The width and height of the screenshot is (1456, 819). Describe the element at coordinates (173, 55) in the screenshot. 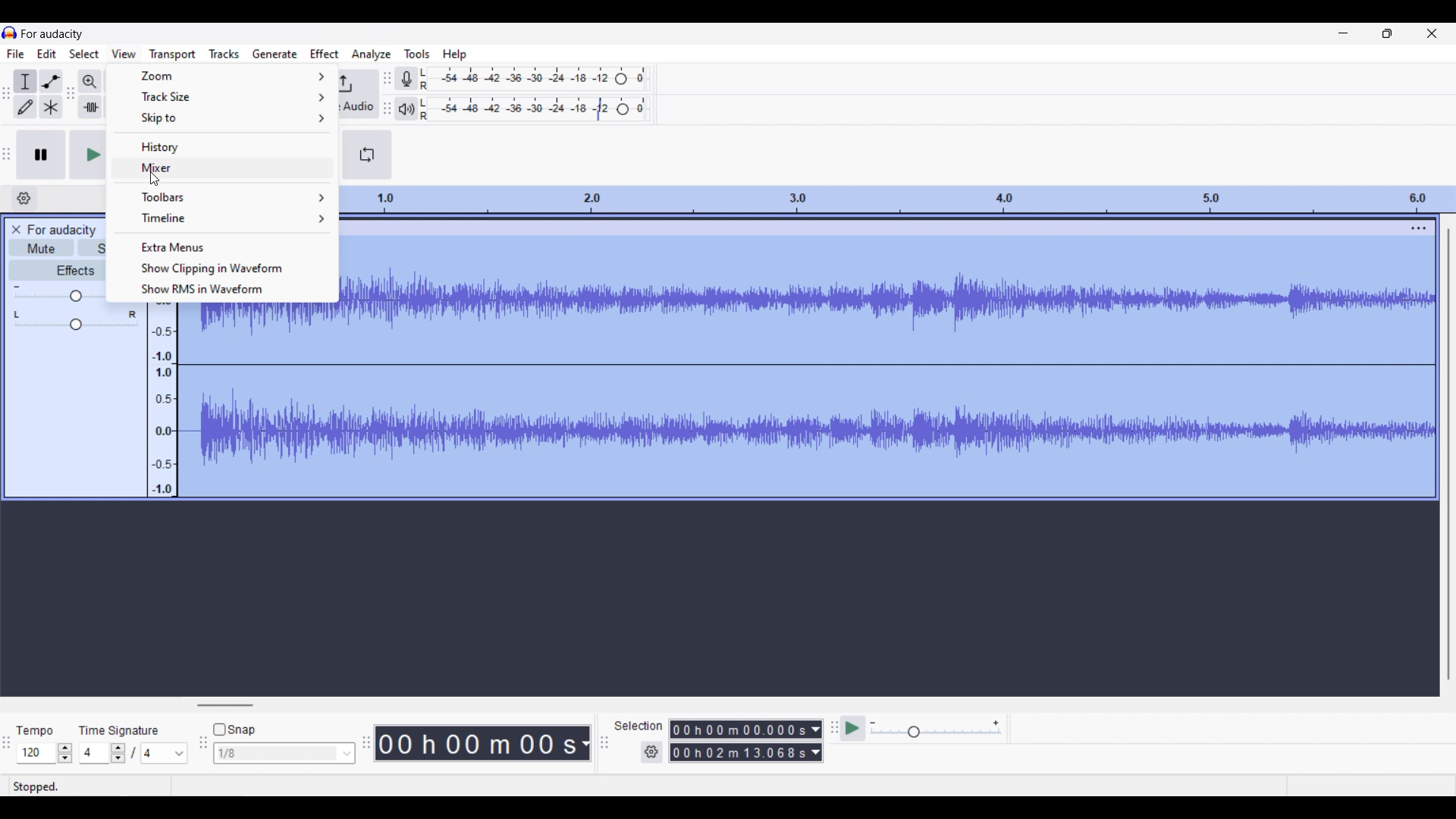

I see `Transport menu` at that location.